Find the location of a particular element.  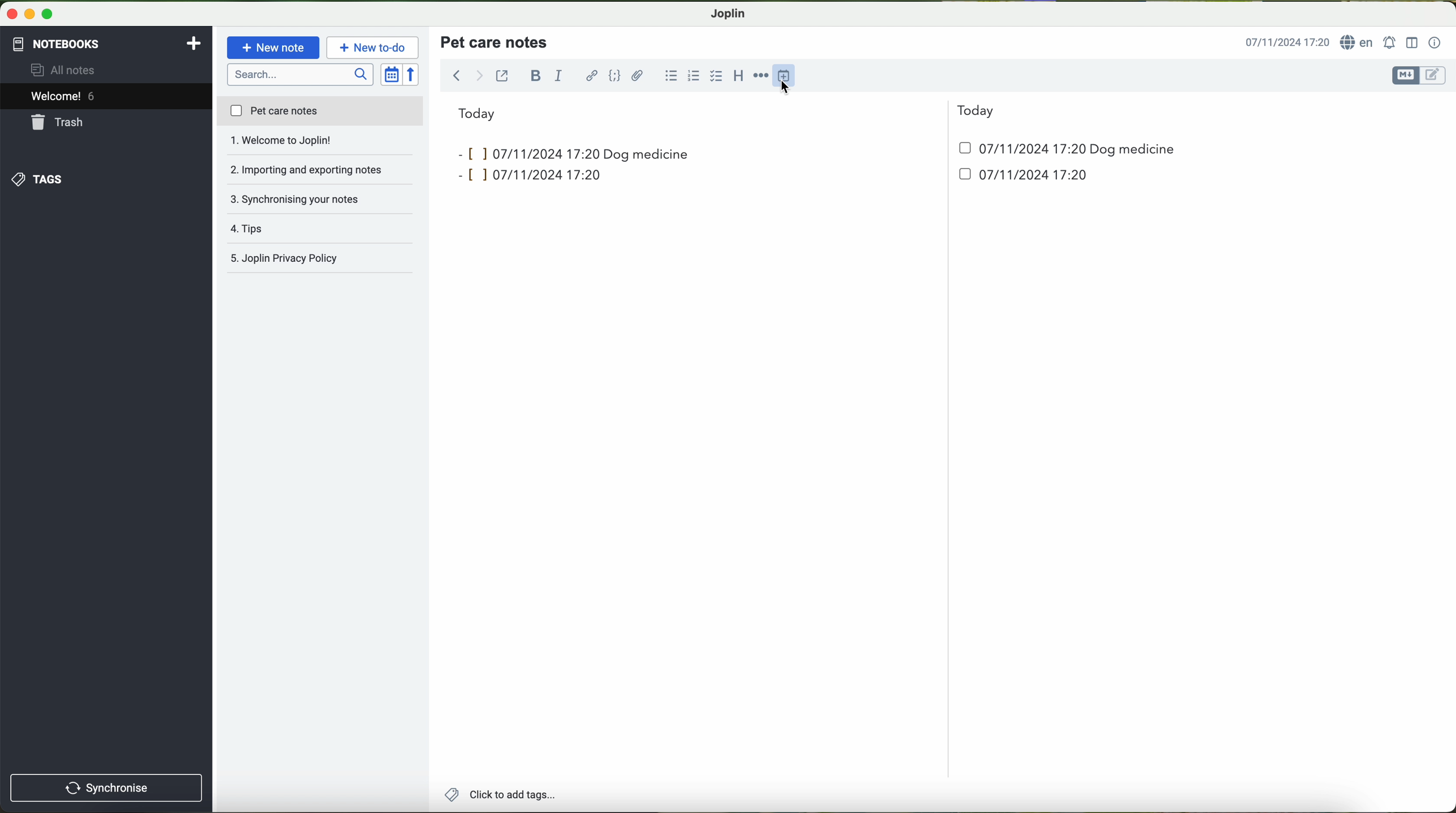

toggle external editing is located at coordinates (502, 75).